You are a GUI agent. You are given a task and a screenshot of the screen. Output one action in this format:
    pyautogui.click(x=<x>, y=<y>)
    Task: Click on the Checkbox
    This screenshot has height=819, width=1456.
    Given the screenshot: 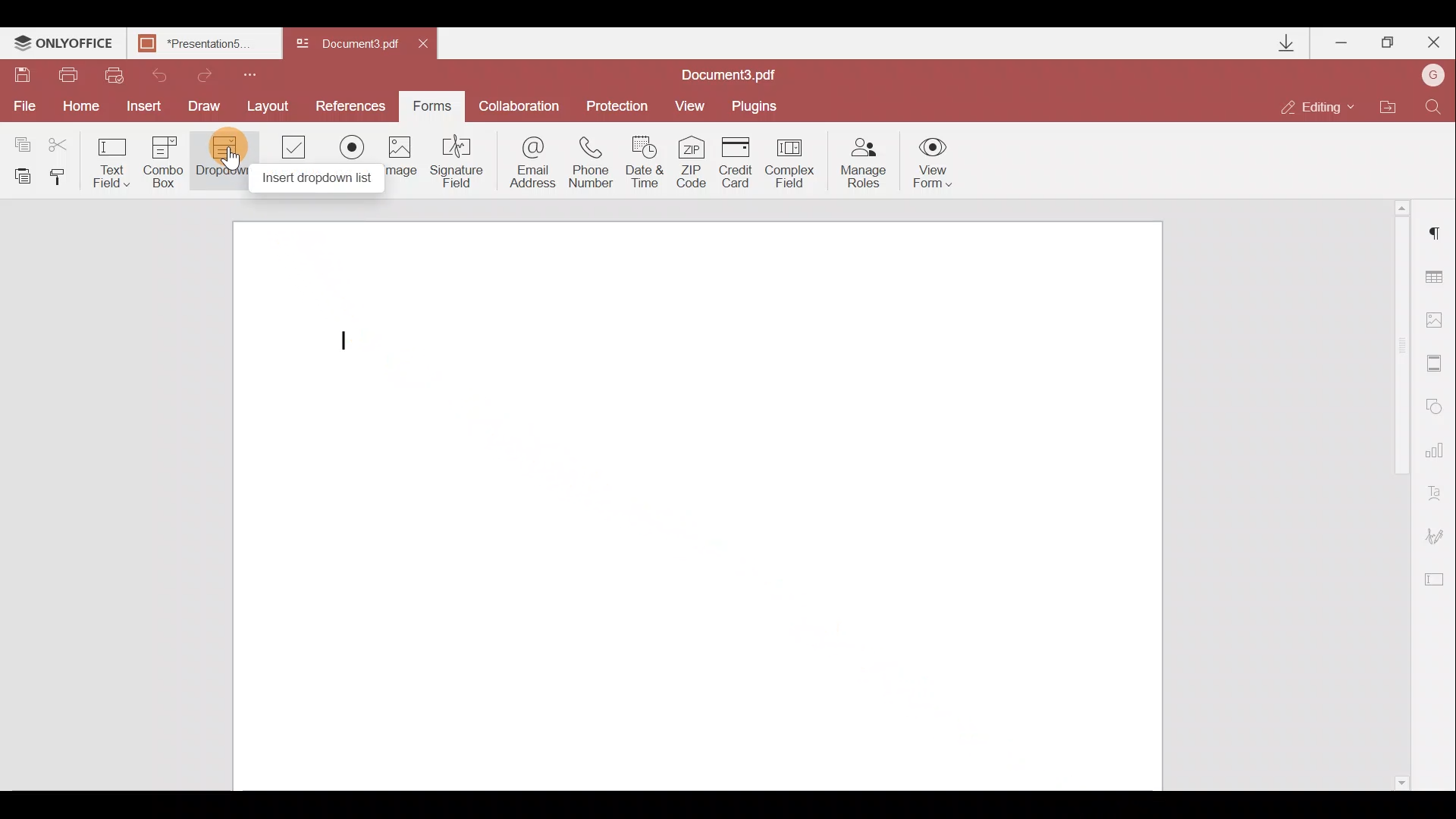 What is the action you would take?
    pyautogui.click(x=291, y=158)
    